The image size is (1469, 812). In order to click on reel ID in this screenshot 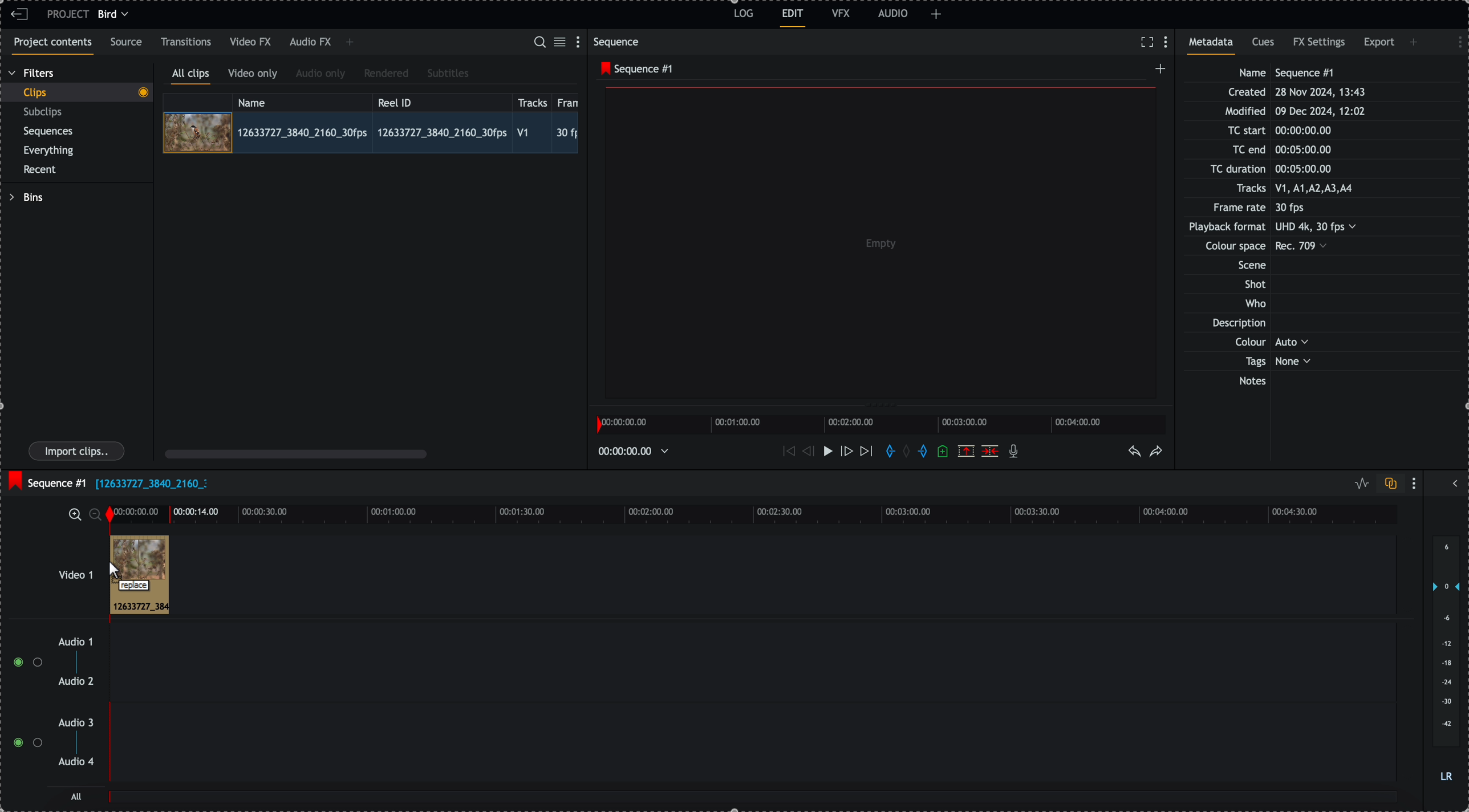, I will do `click(441, 100)`.